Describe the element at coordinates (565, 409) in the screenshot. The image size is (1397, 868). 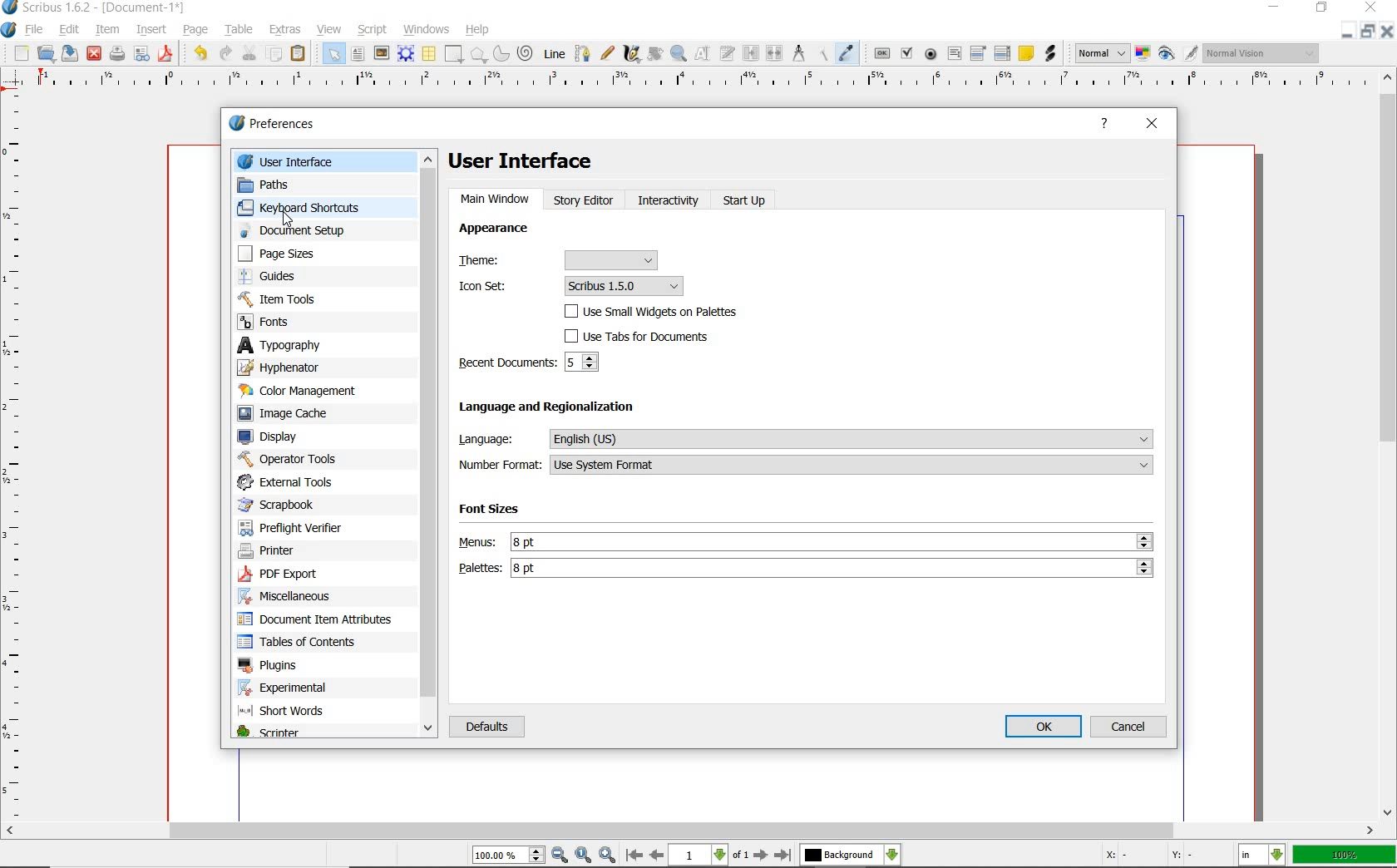
I see `Language and Regionalization` at that location.